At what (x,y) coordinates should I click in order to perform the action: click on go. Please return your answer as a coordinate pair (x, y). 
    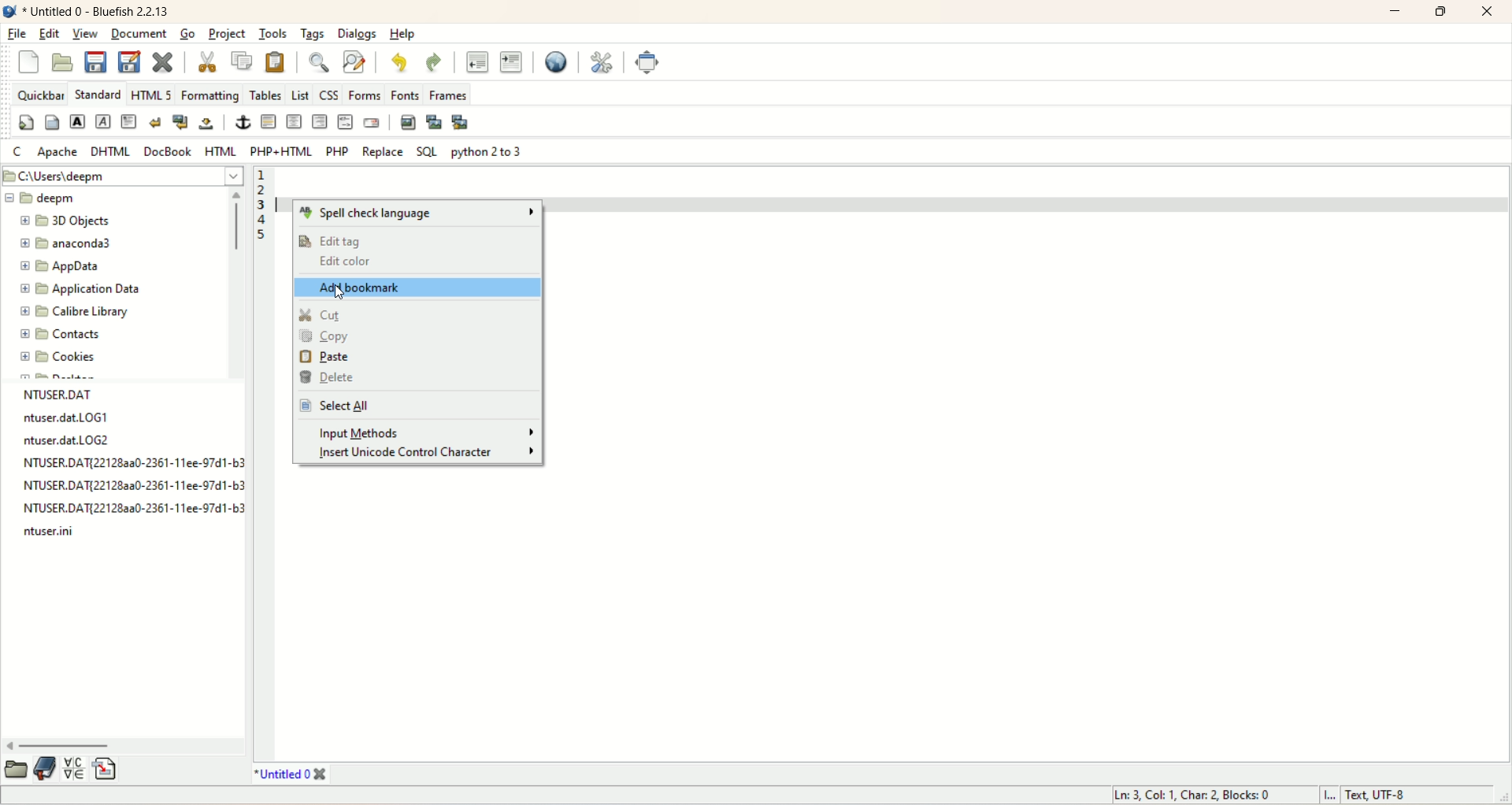
    Looking at the image, I should click on (187, 35).